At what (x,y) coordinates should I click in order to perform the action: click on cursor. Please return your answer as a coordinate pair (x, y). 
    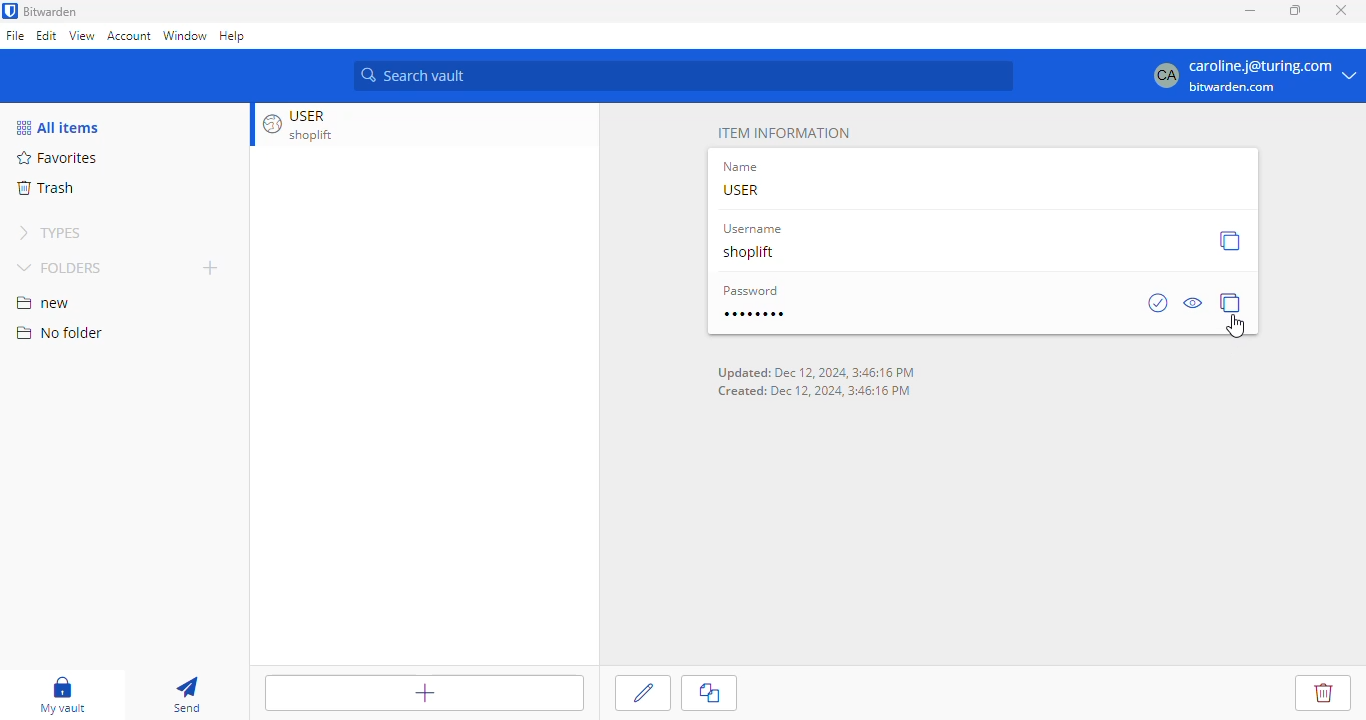
    Looking at the image, I should click on (1236, 326).